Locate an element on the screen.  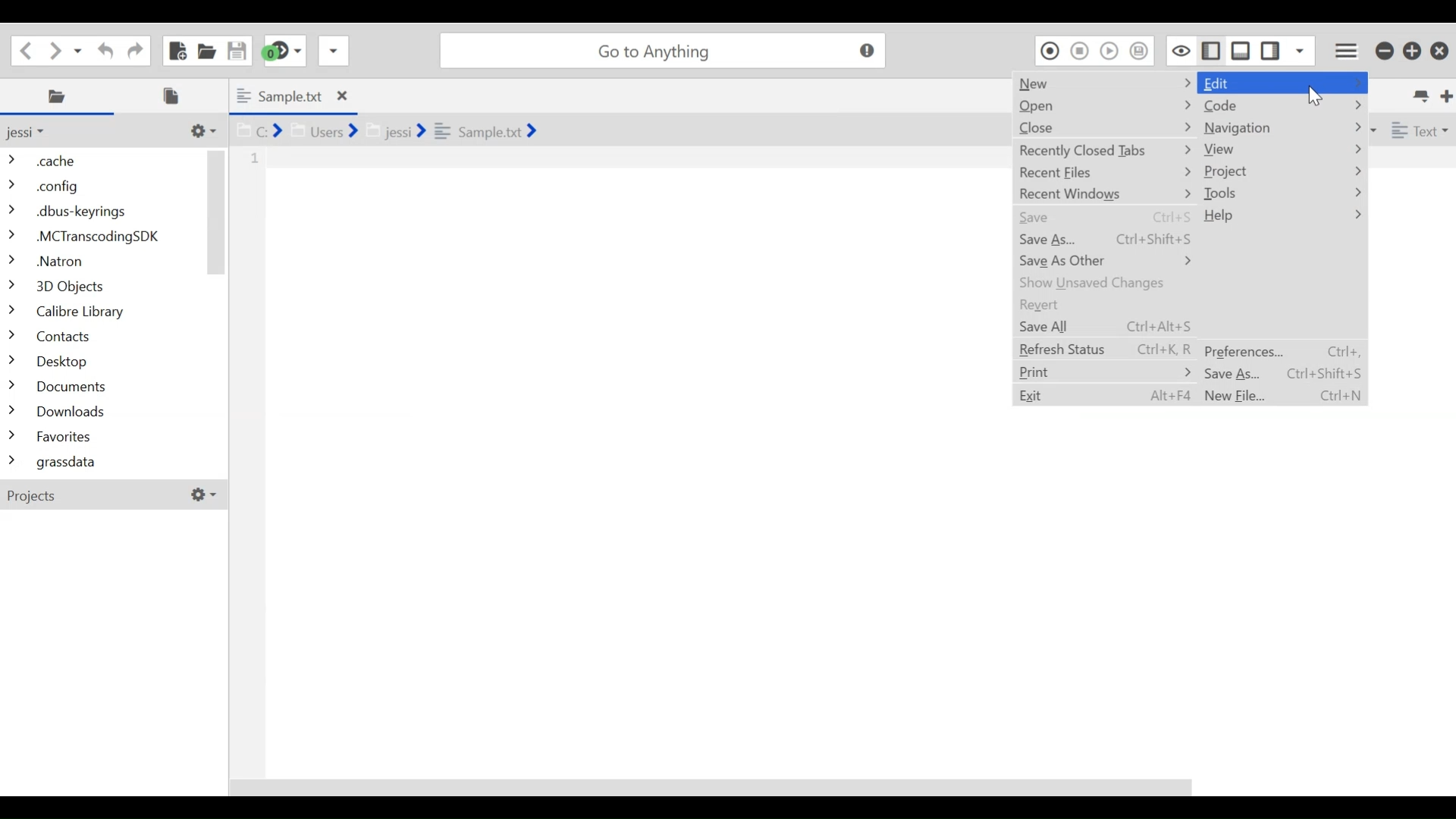
Print is located at coordinates (1105, 371).